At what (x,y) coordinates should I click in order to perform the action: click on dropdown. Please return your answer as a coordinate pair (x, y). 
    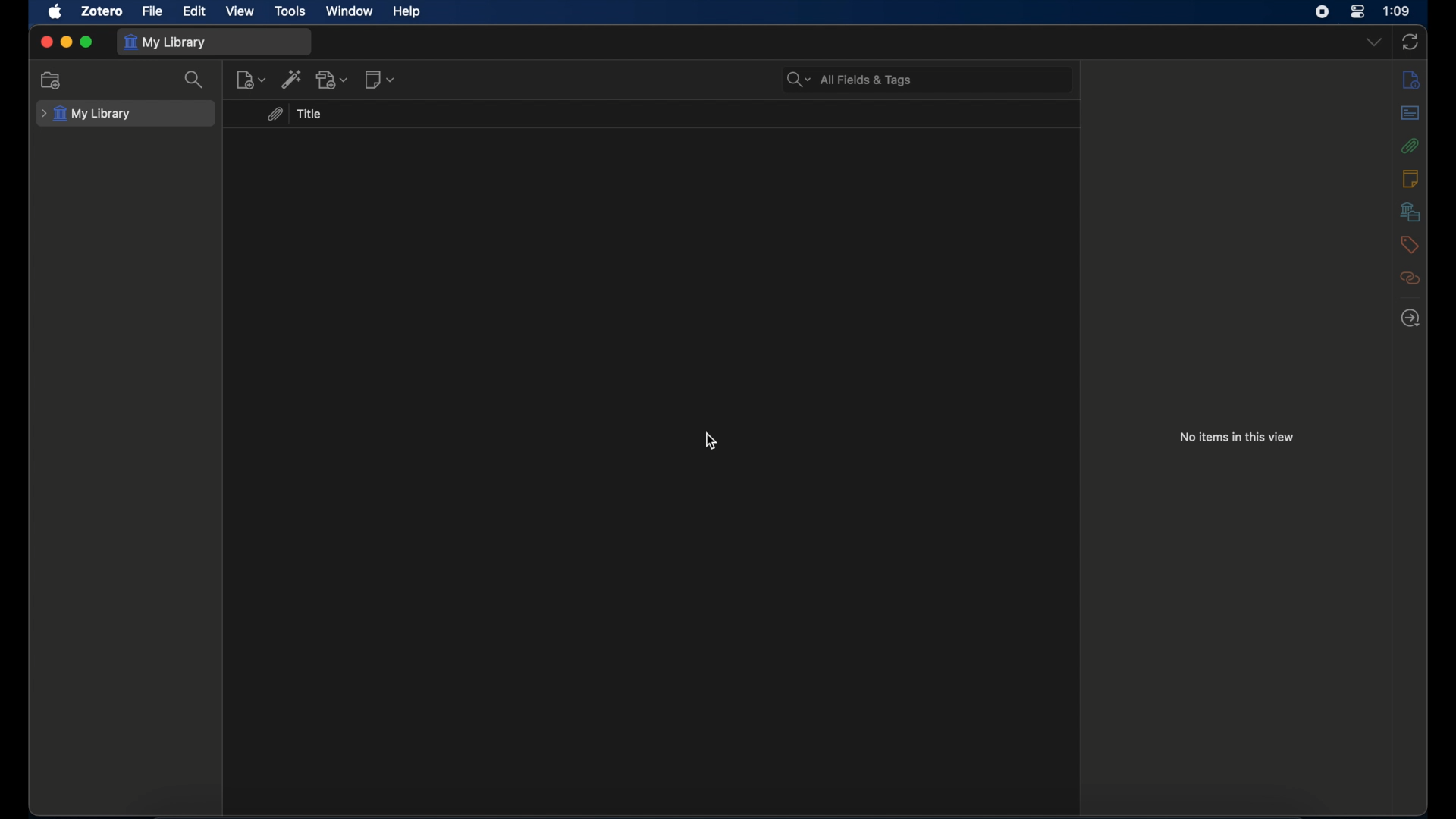
    Looking at the image, I should click on (1373, 42).